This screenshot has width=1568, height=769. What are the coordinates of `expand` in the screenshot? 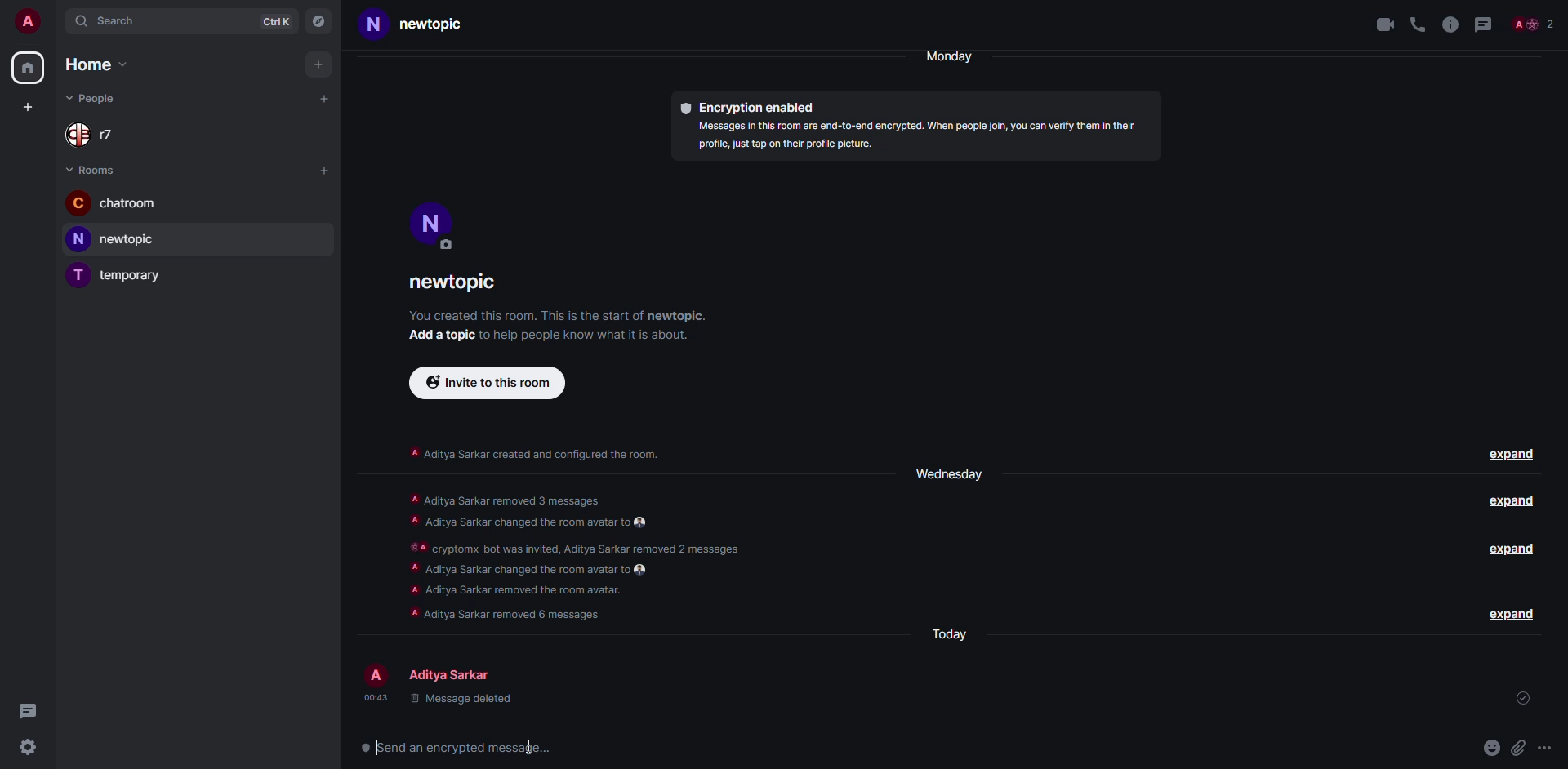 It's located at (1515, 502).